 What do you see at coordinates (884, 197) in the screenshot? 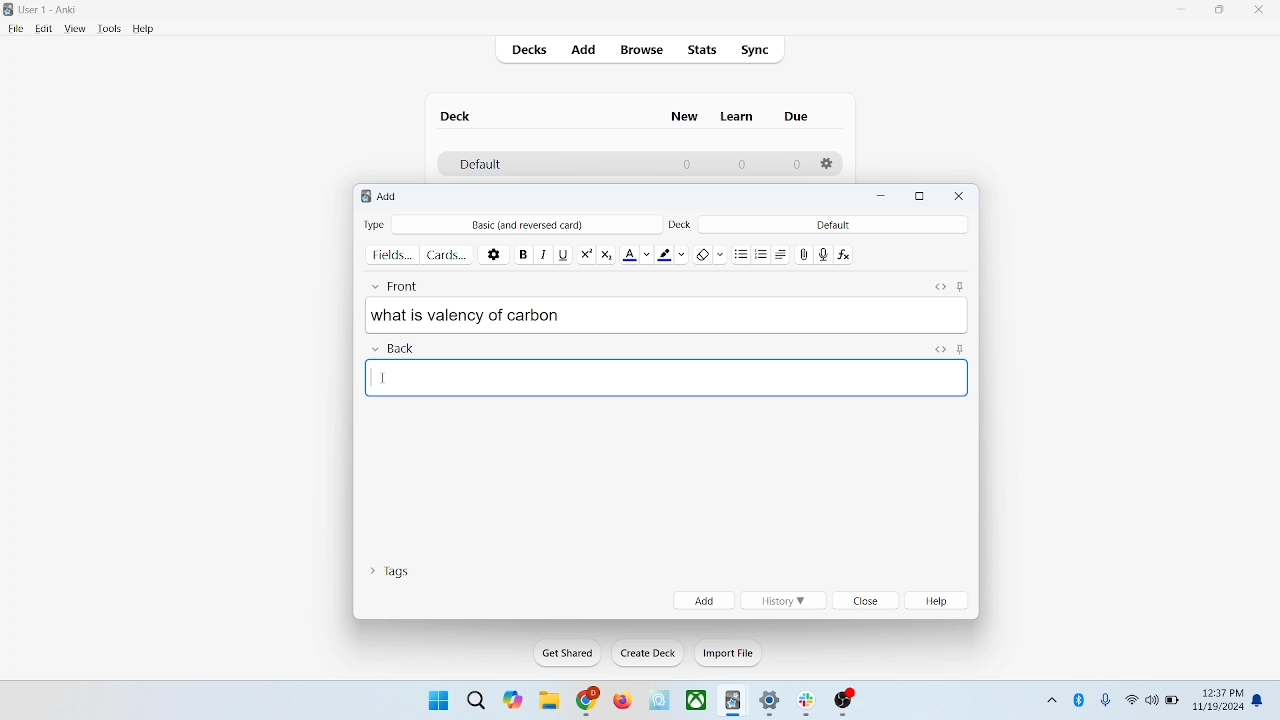
I see `minimize` at bounding box center [884, 197].